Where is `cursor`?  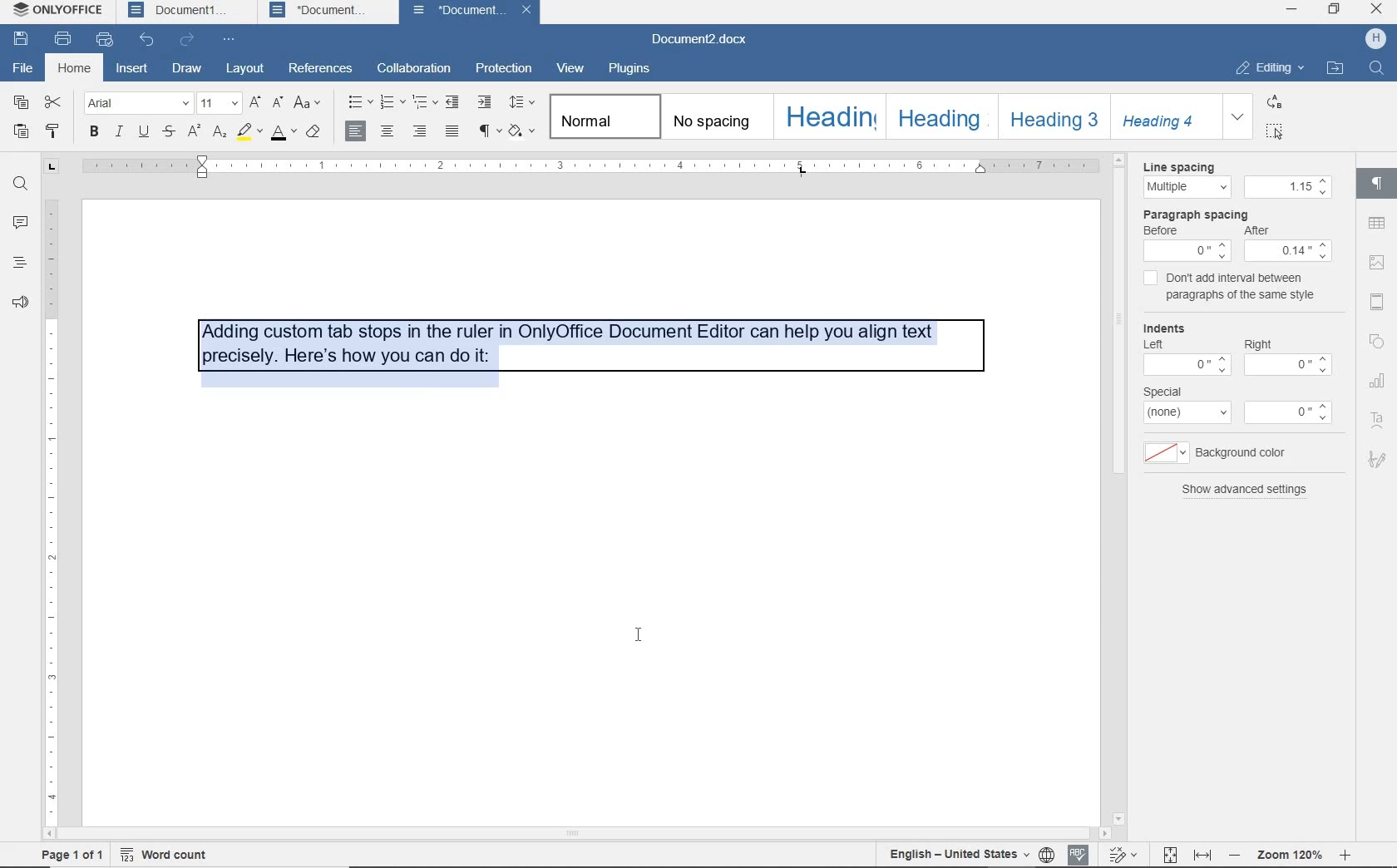
cursor is located at coordinates (1281, 137).